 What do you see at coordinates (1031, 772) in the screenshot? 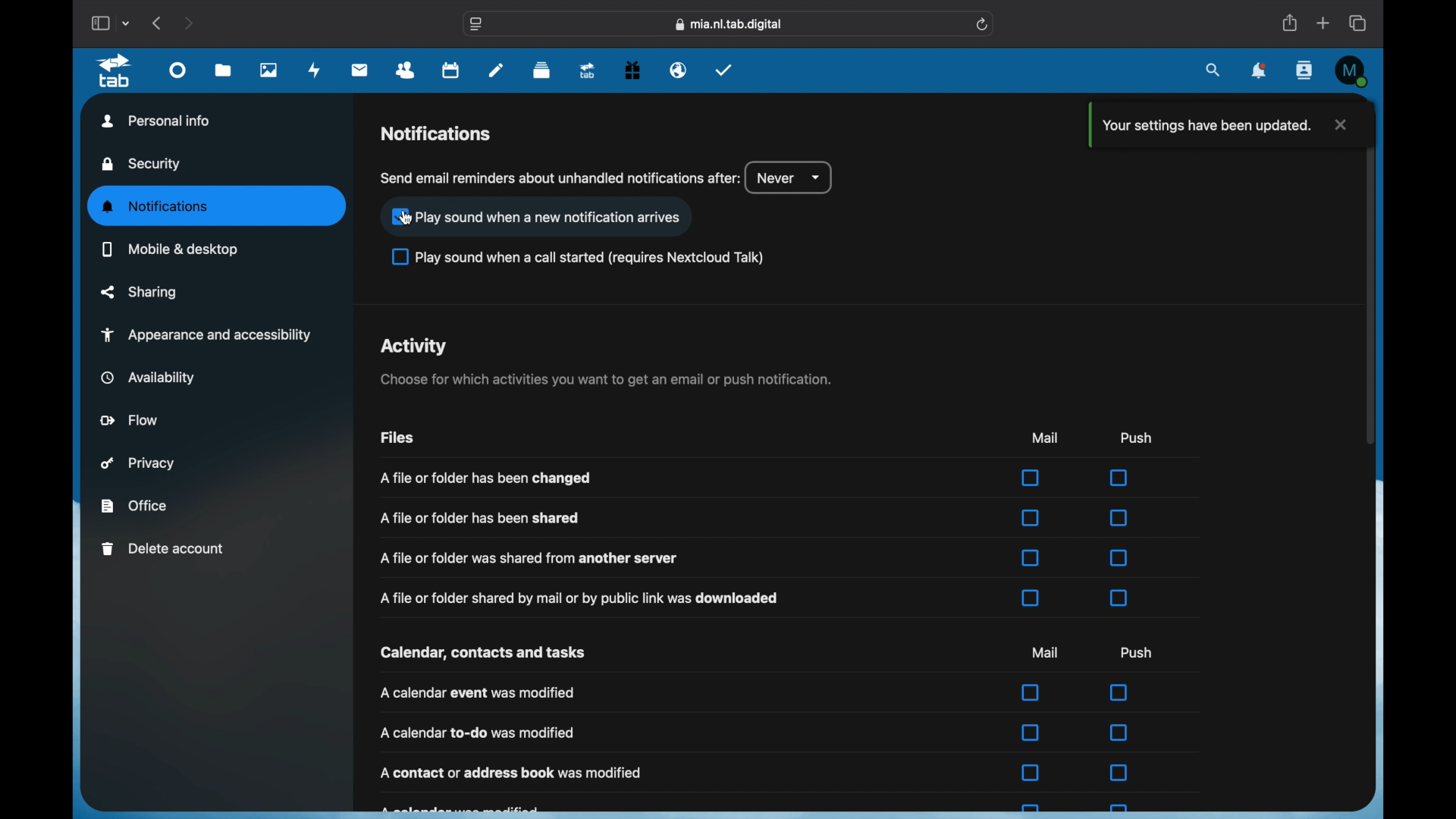
I see `checkbox` at bounding box center [1031, 772].